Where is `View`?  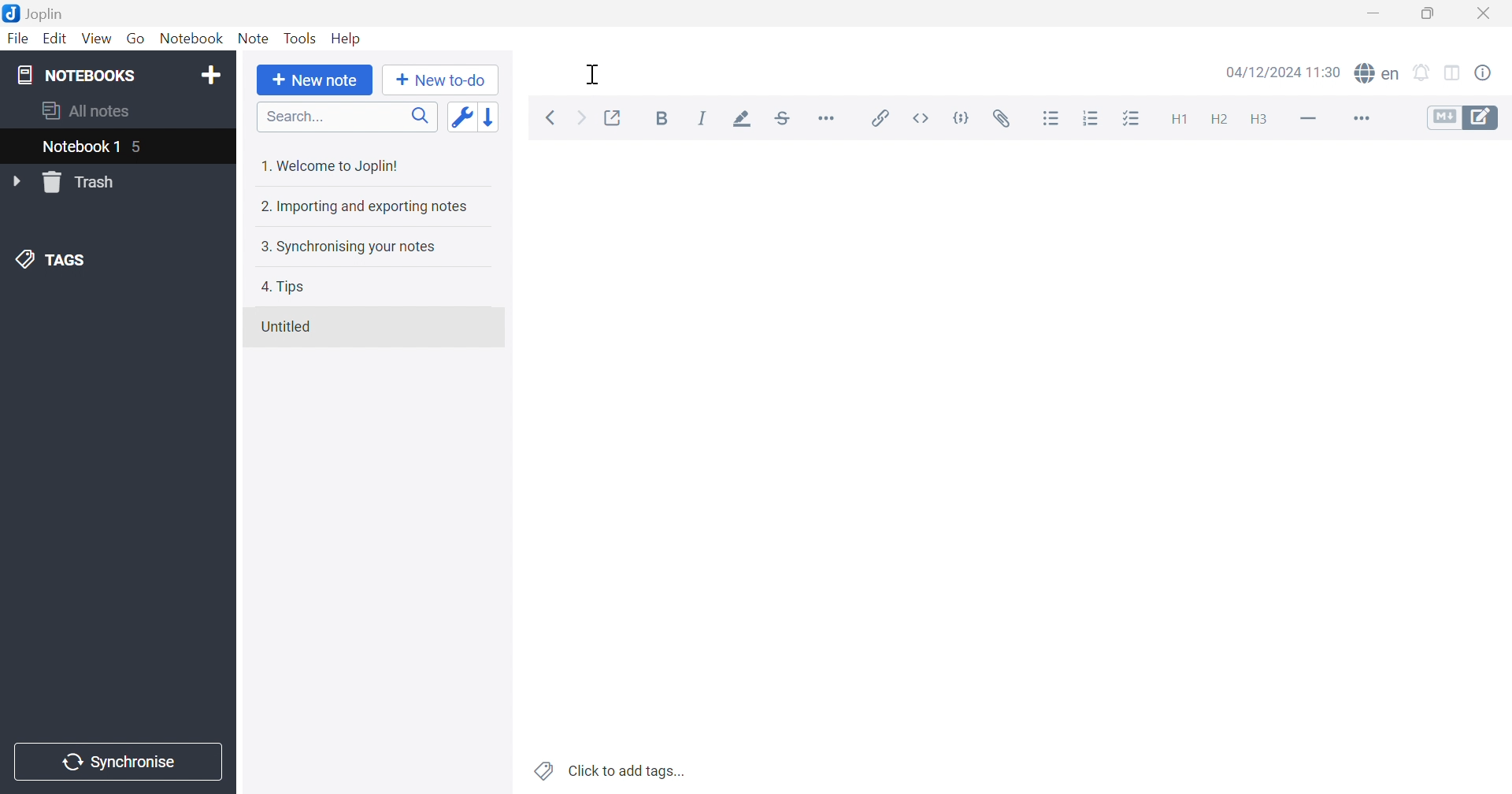
View is located at coordinates (95, 39).